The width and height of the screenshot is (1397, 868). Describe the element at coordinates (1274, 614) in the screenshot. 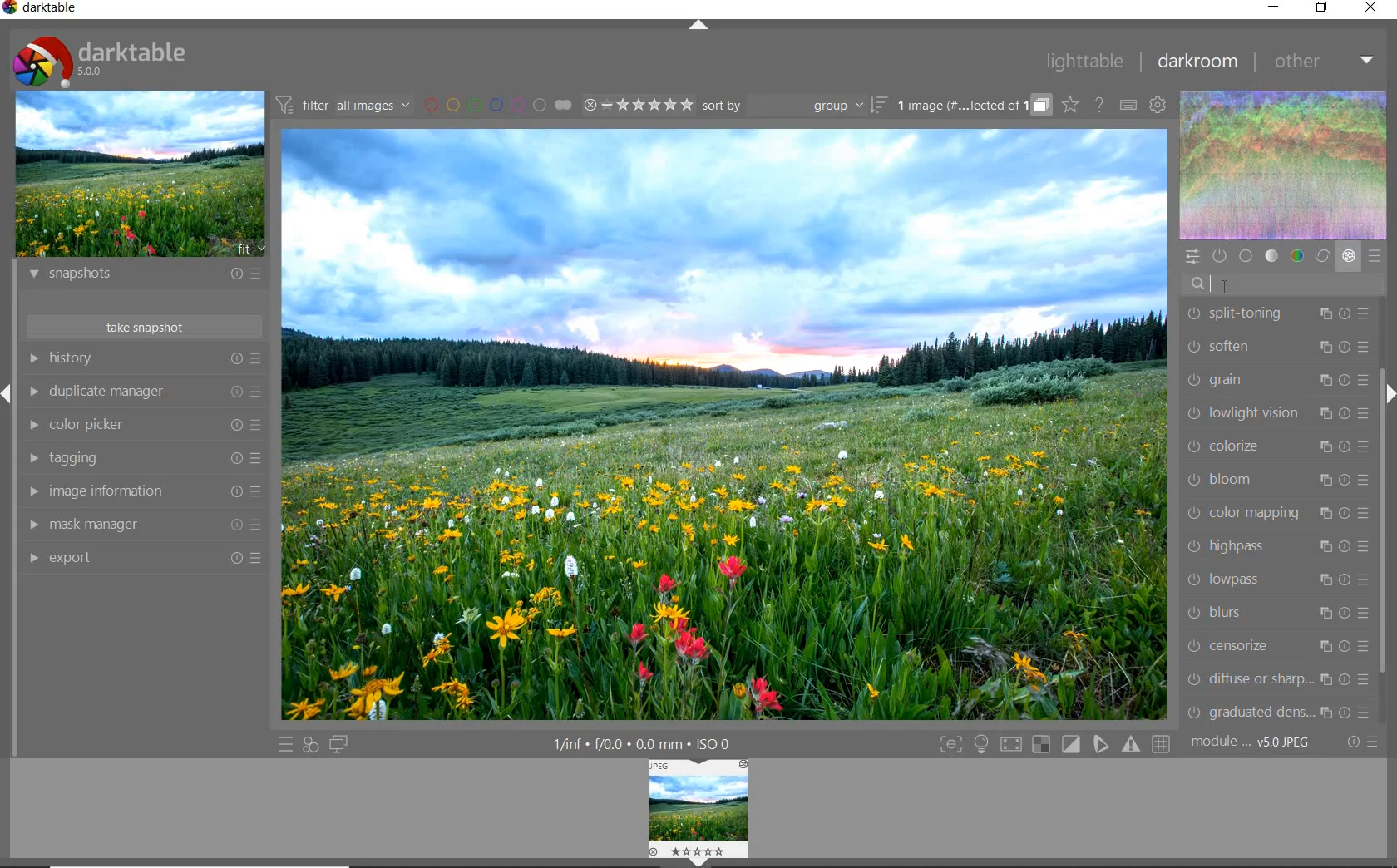

I see `blurs` at that location.